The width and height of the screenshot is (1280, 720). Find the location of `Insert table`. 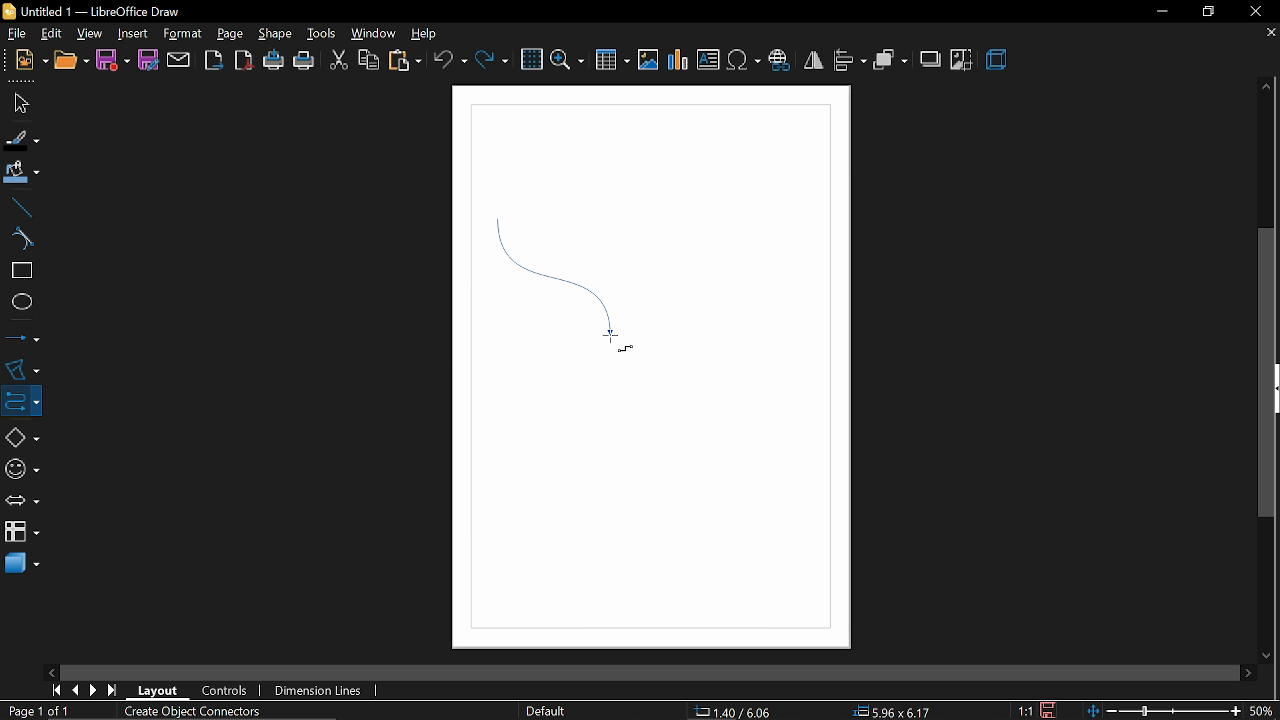

Insert table is located at coordinates (614, 59).